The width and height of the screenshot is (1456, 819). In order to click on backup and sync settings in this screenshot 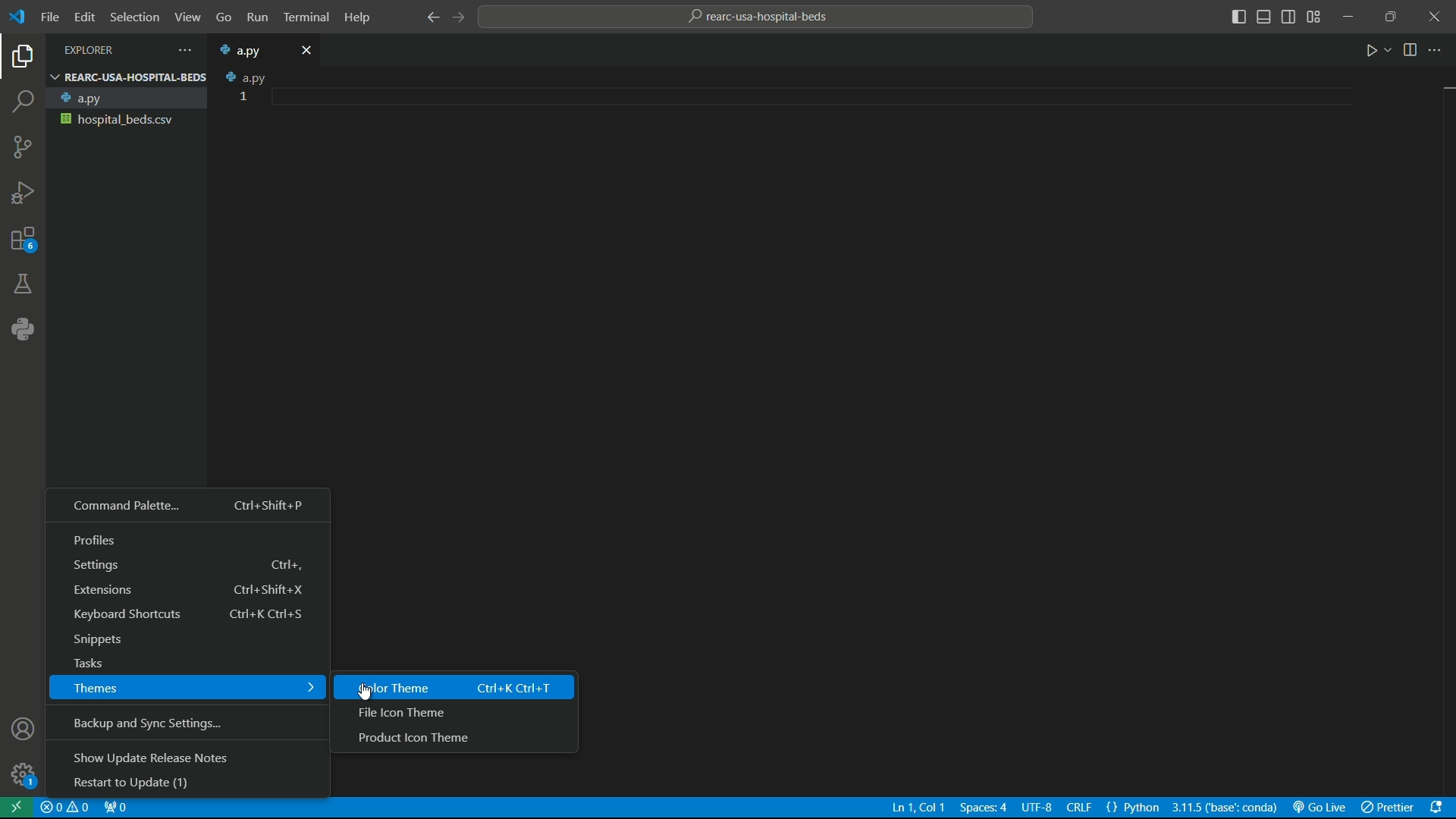, I will do `click(188, 724)`.